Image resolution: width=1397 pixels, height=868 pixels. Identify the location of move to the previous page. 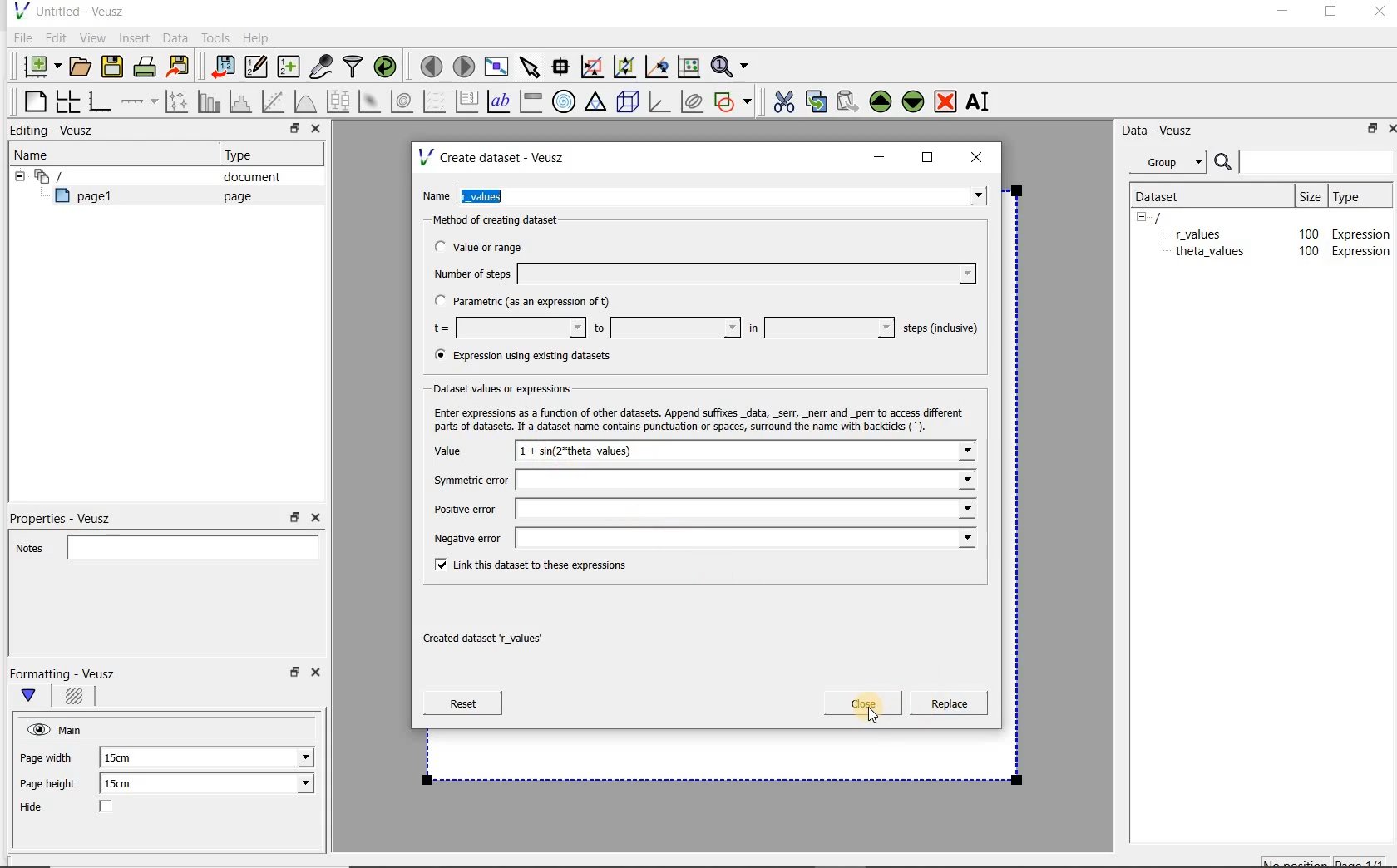
(432, 64).